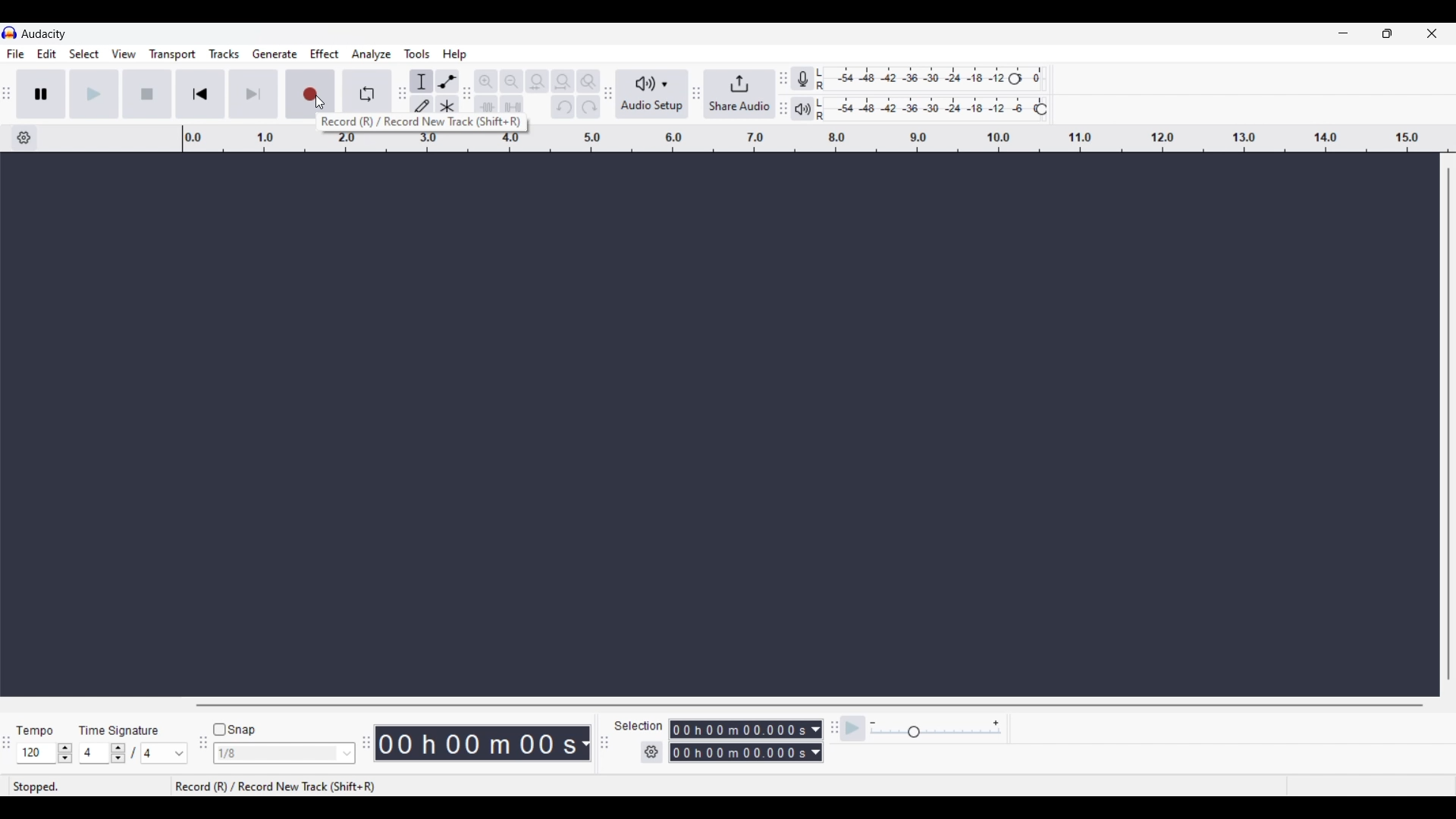 This screenshot has height=819, width=1456. Describe the element at coordinates (466, 91) in the screenshot. I see `toolbar` at that location.